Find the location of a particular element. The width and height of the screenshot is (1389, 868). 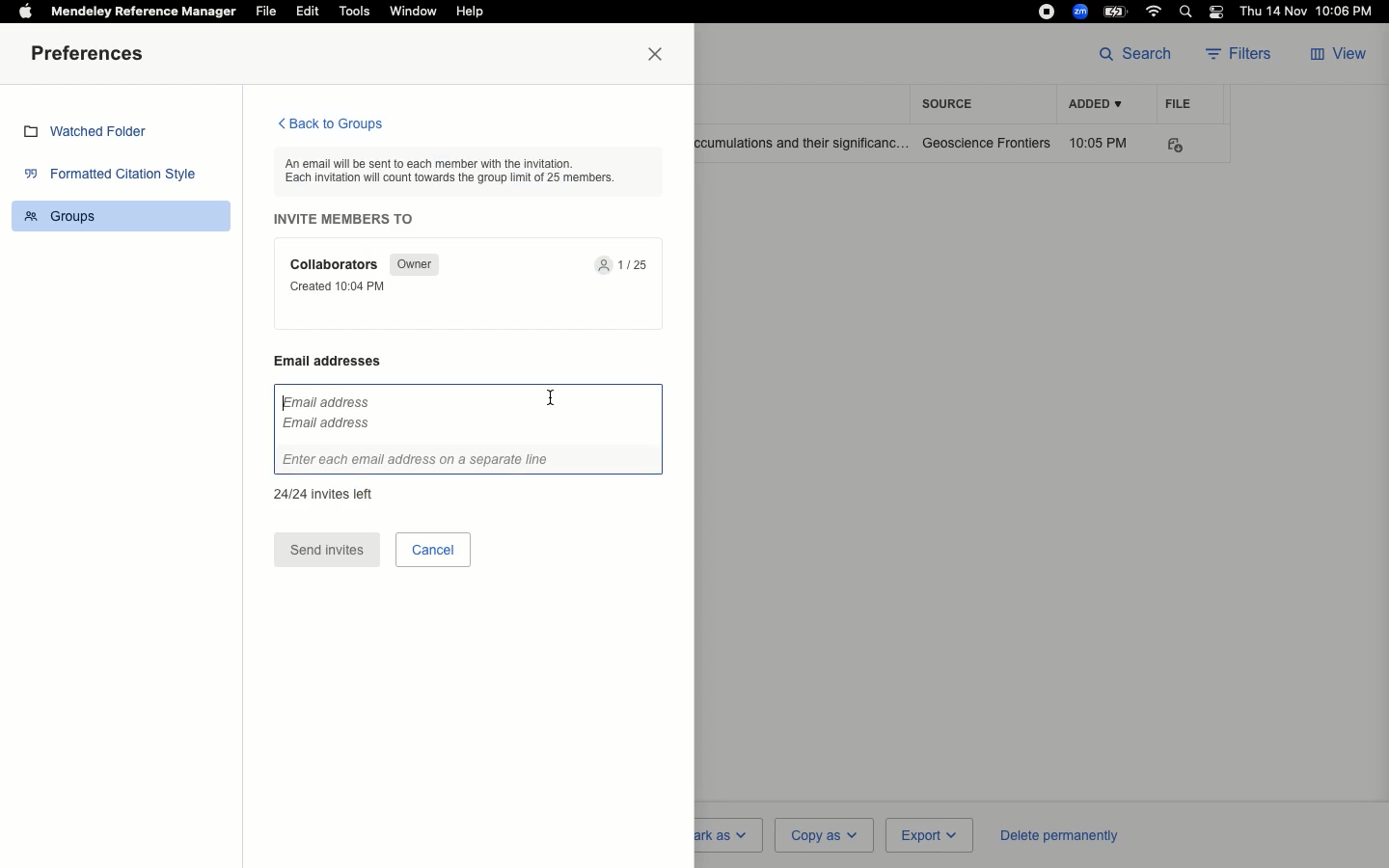

Formatted citation style is located at coordinates (116, 176).